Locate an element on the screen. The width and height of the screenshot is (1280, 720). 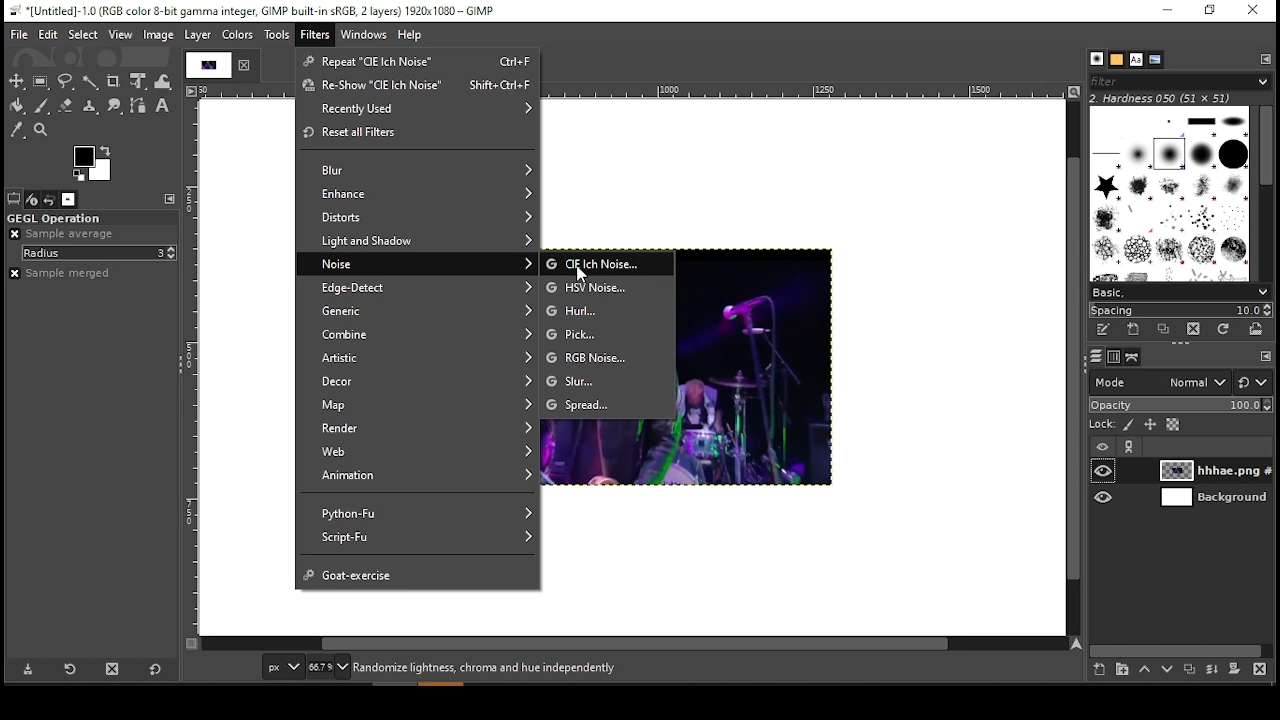
select brush preset is located at coordinates (1183, 293).